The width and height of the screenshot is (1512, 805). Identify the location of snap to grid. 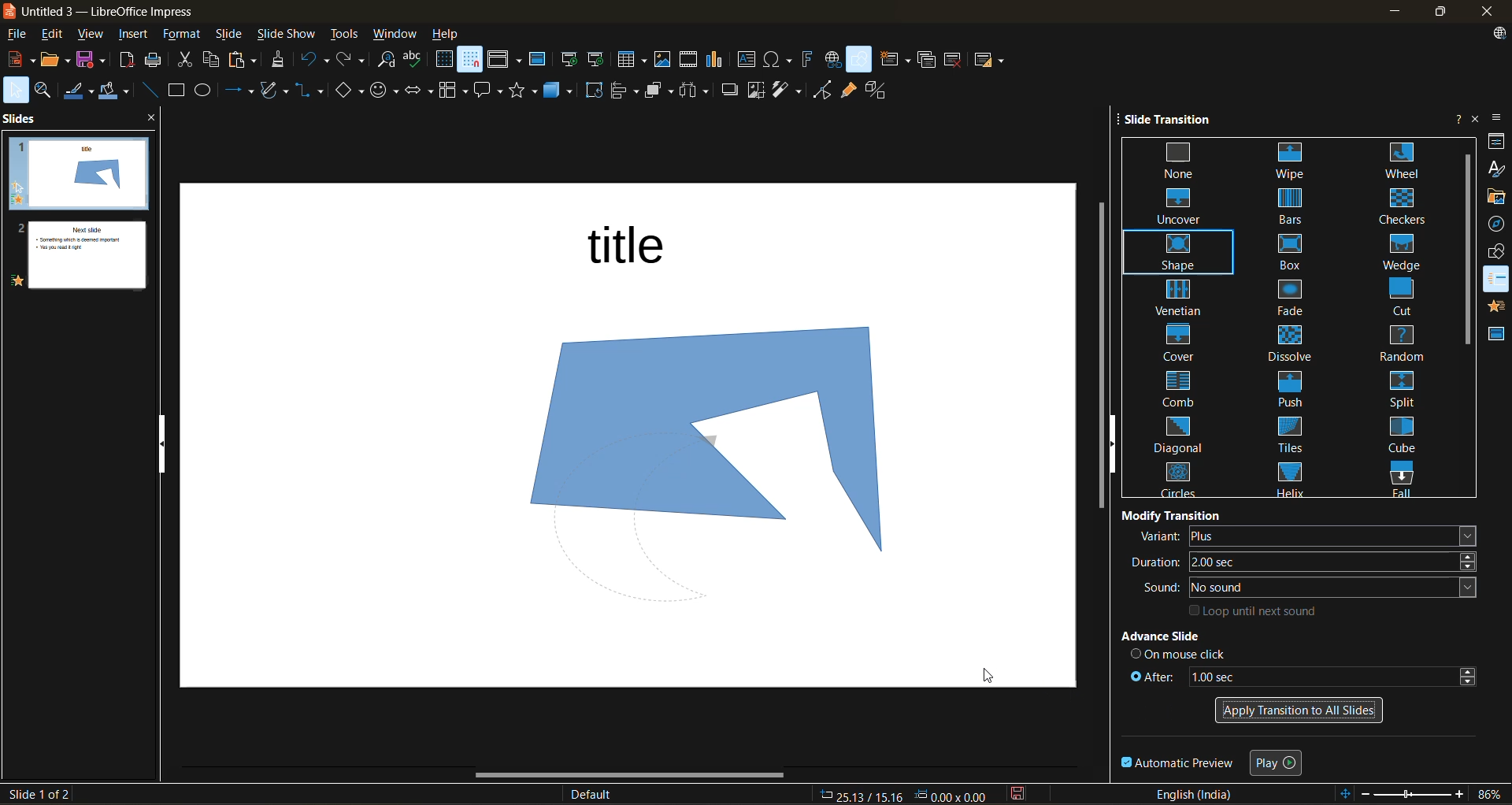
(471, 61).